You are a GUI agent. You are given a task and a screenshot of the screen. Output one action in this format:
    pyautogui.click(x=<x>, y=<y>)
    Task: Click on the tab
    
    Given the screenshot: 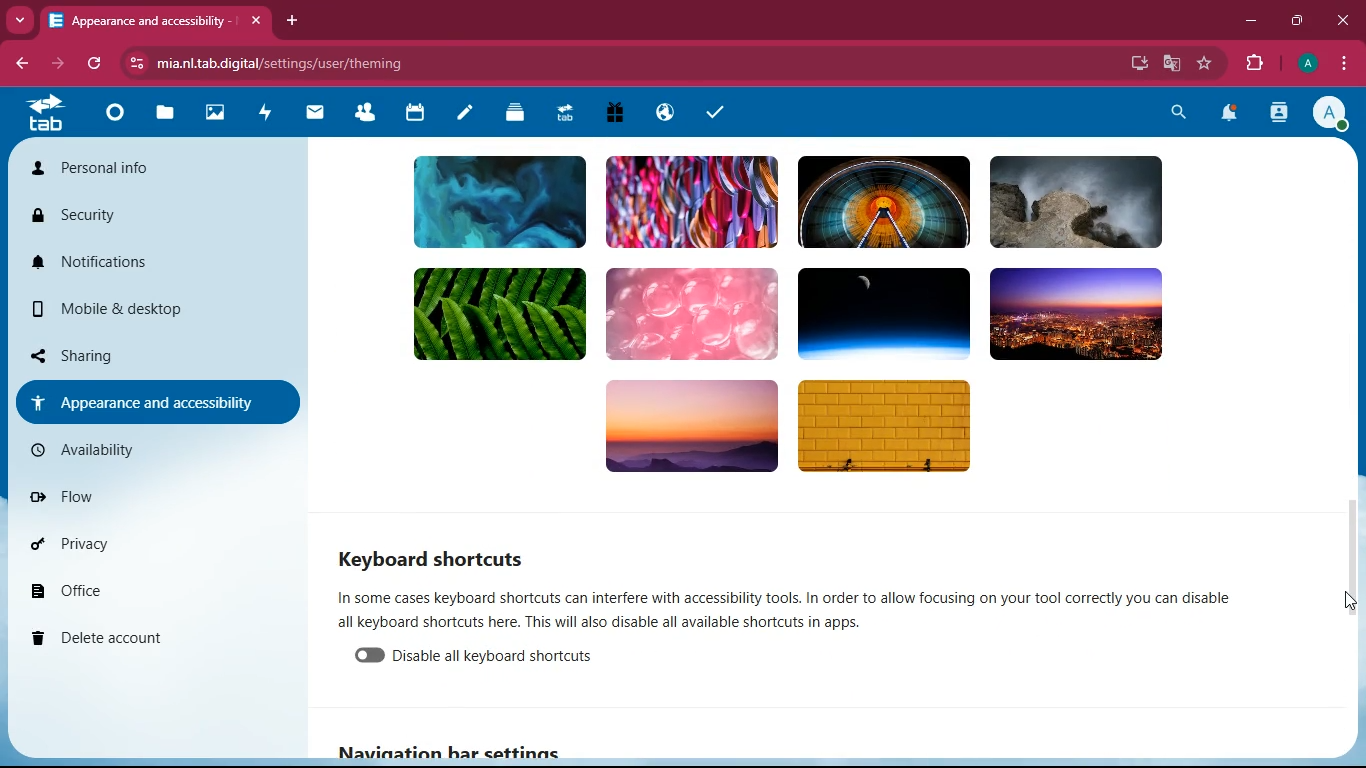 What is the action you would take?
    pyautogui.click(x=566, y=112)
    